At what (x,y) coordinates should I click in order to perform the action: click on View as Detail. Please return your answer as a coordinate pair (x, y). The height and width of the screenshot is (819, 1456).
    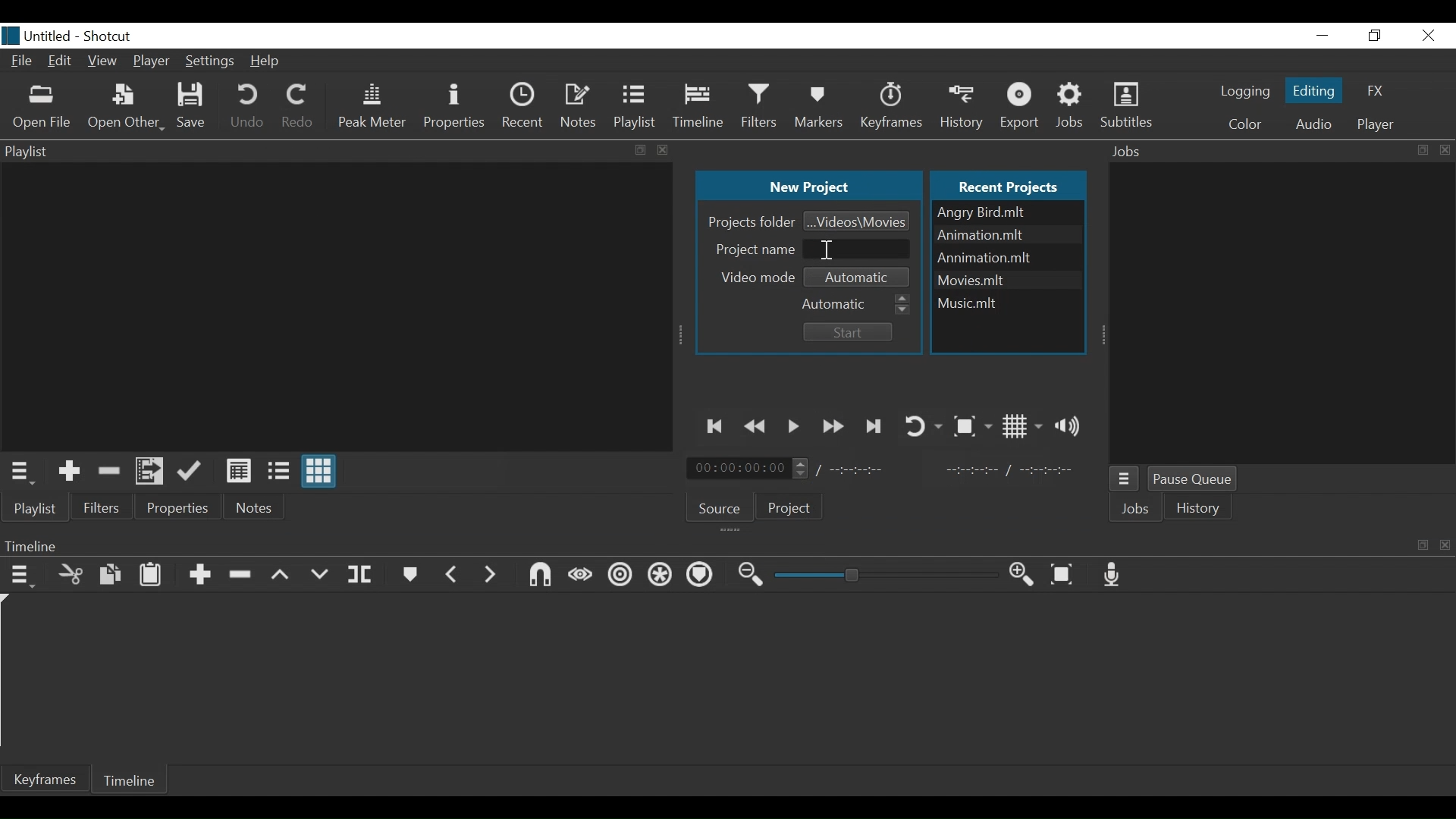
    Looking at the image, I should click on (238, 471).